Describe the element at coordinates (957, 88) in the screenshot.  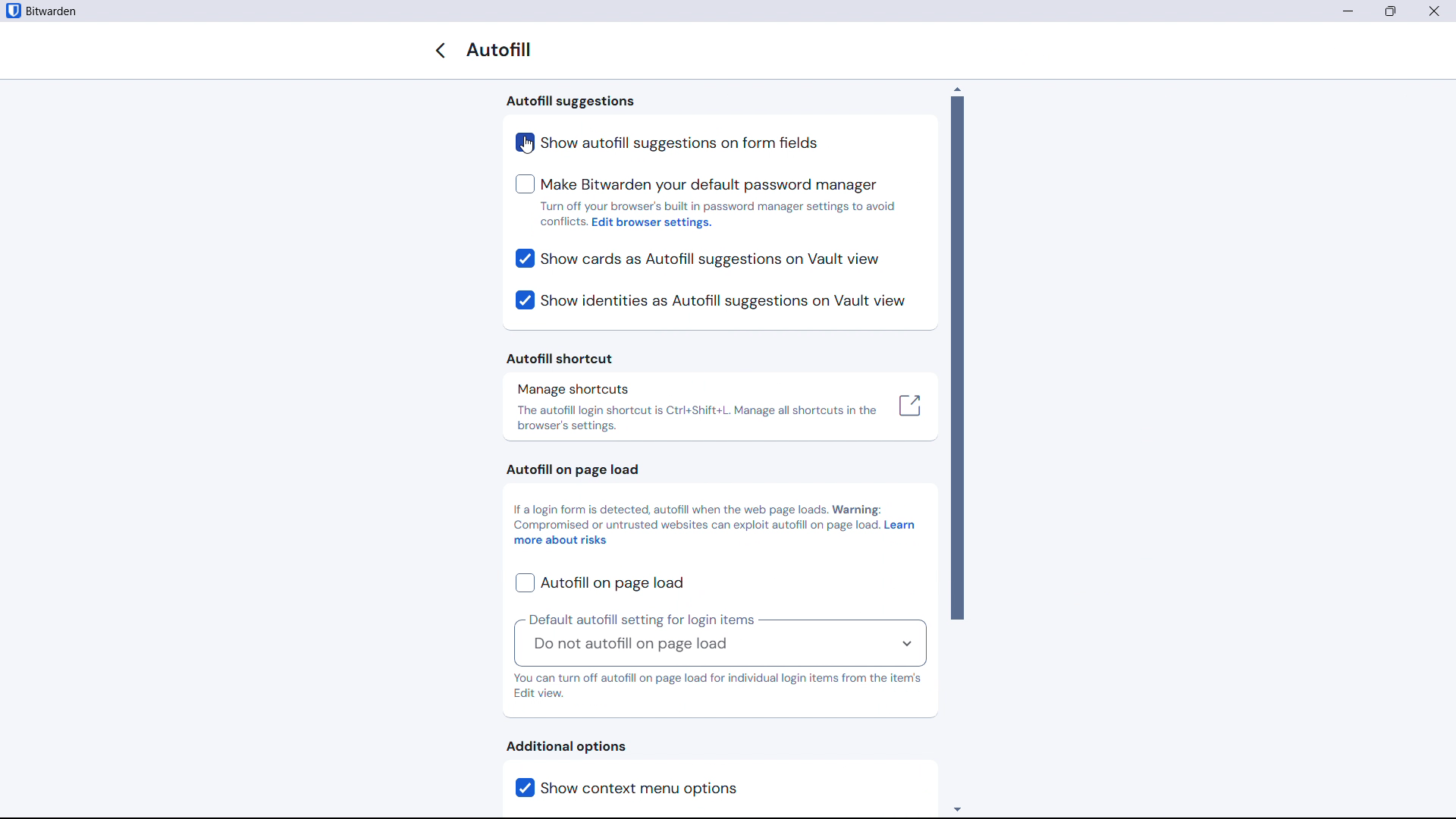
I see `Scroll up` at that location.